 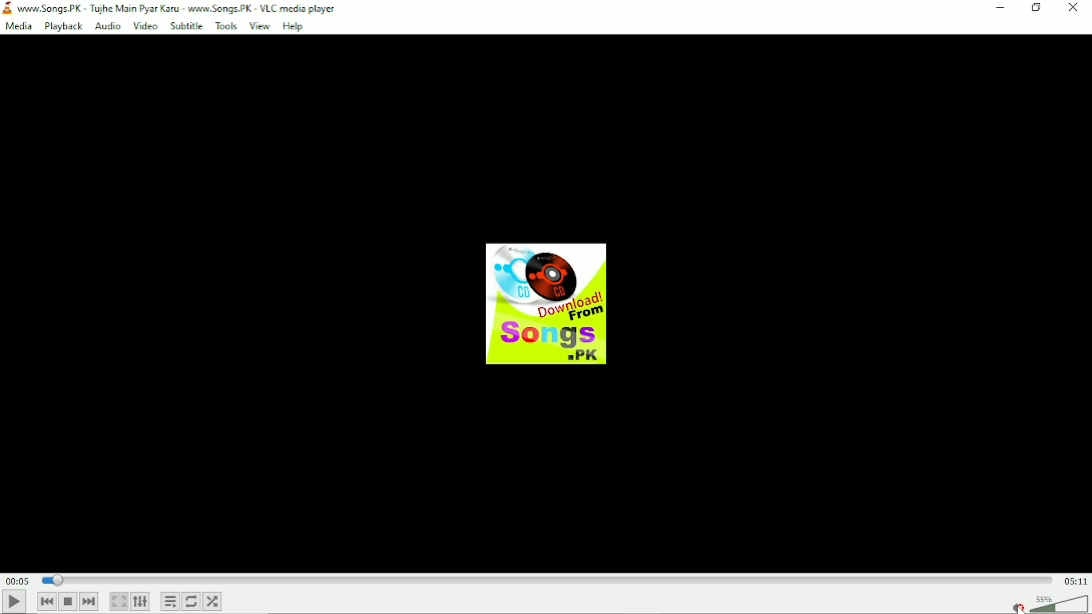 What do you see at coordinates (171, 601) in the screenshot?
I see `Toggle playlist` at bounding box center [171, 601].